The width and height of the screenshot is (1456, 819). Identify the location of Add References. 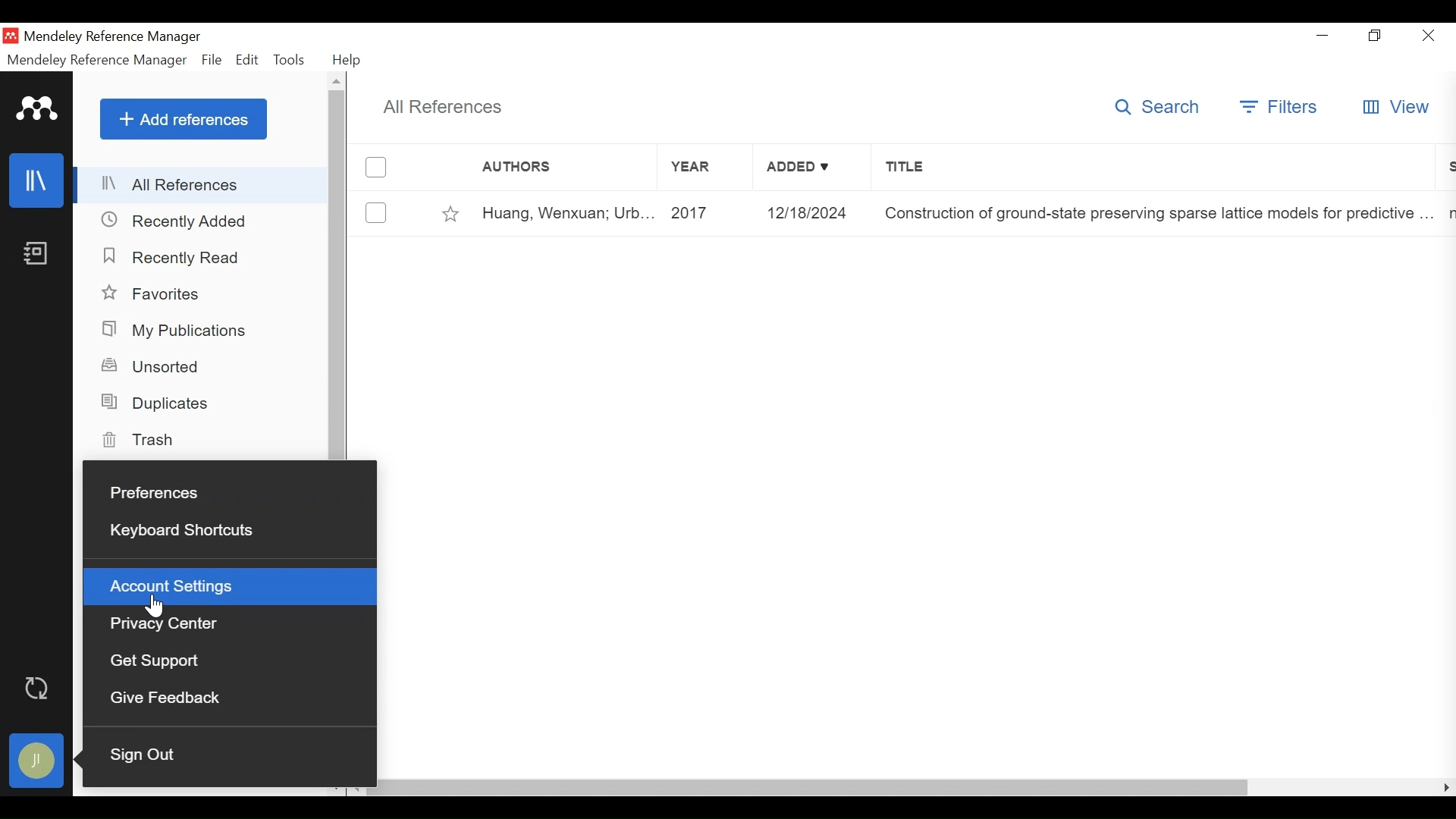
(185, 120).